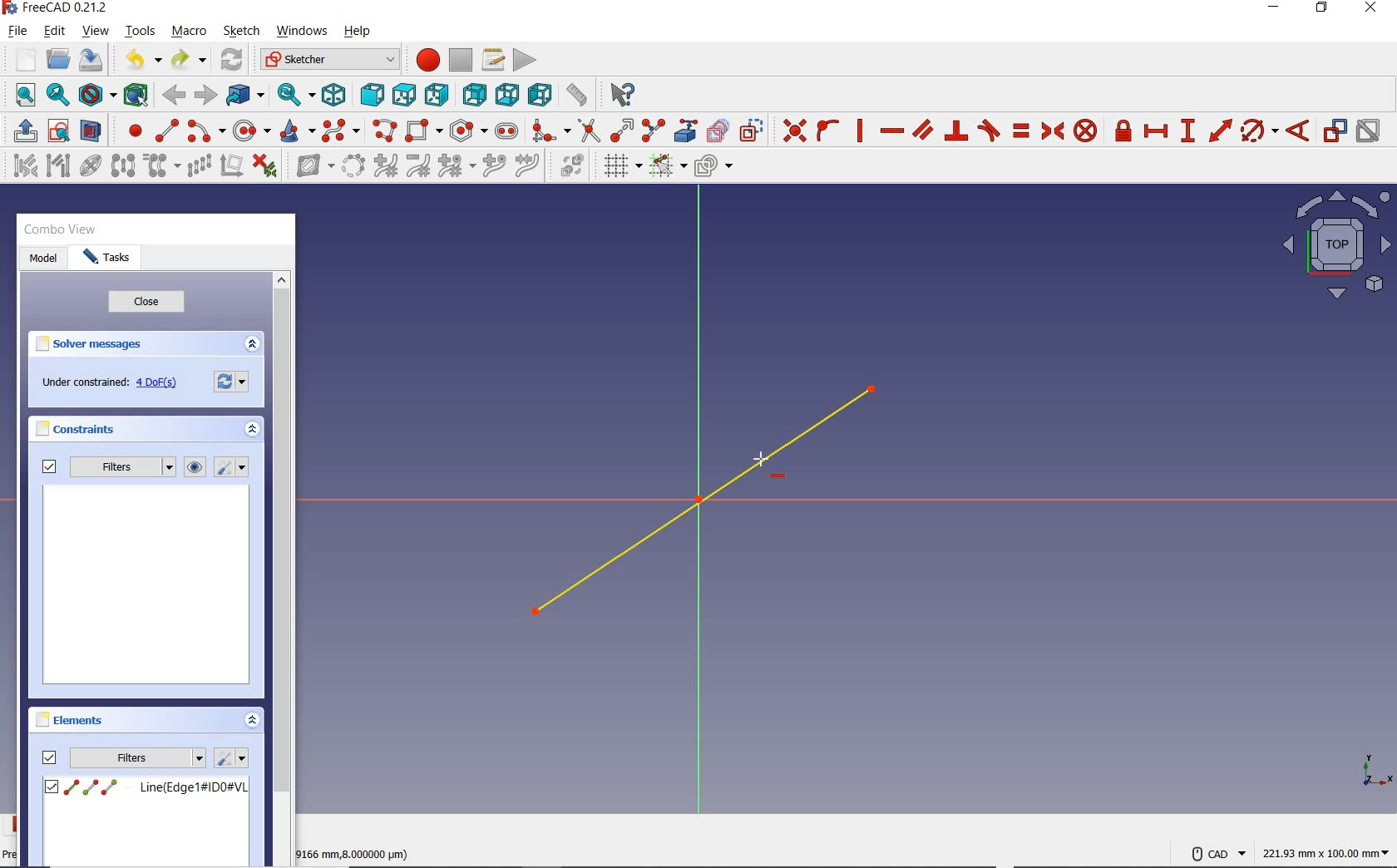 Image resolution: width=1397 pixels, height=868 pixels. I want to click on VIEW, so click(96, 32).